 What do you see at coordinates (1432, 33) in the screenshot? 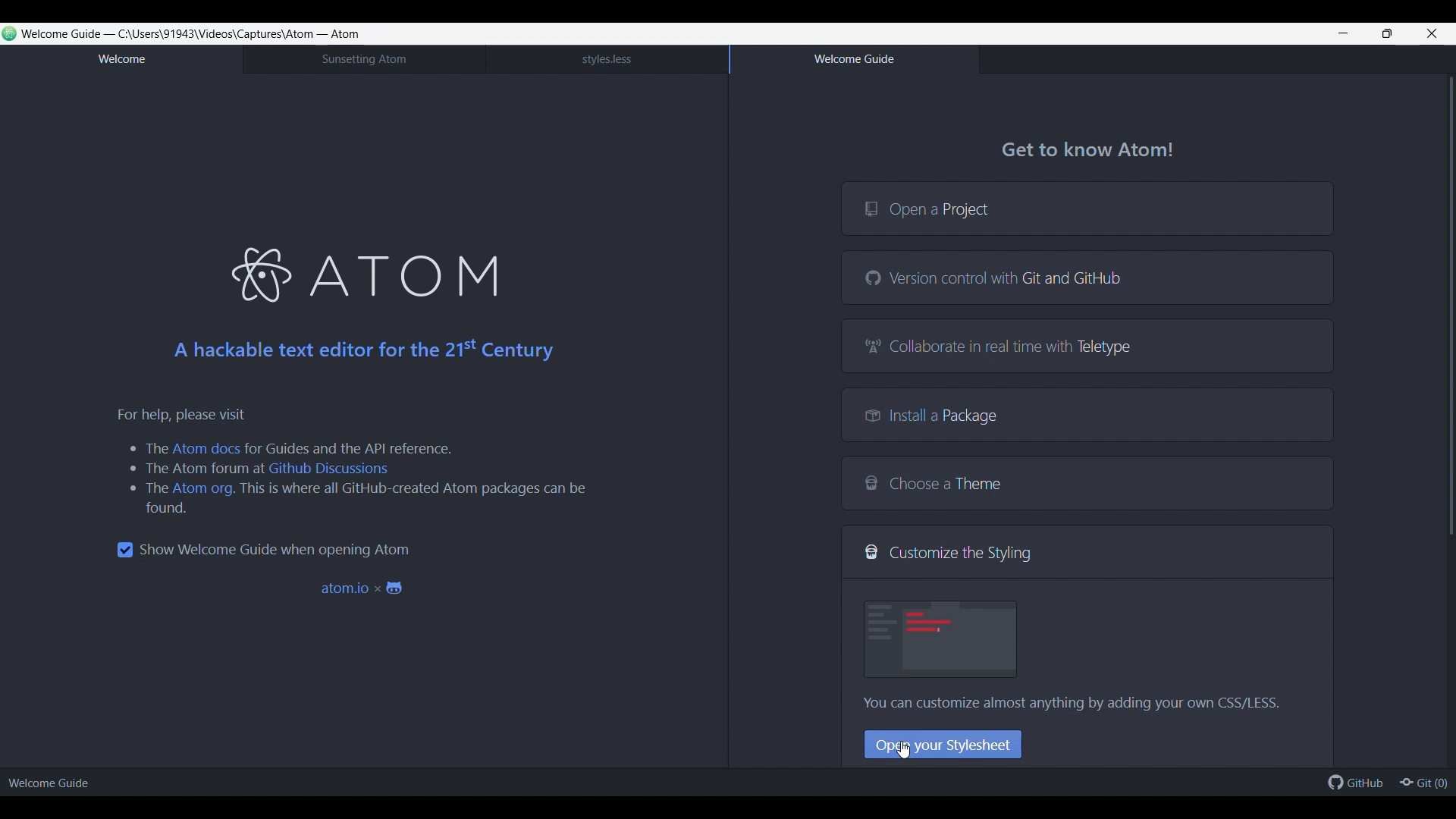
I see `Close interface` at bounding box center [1432, 33].